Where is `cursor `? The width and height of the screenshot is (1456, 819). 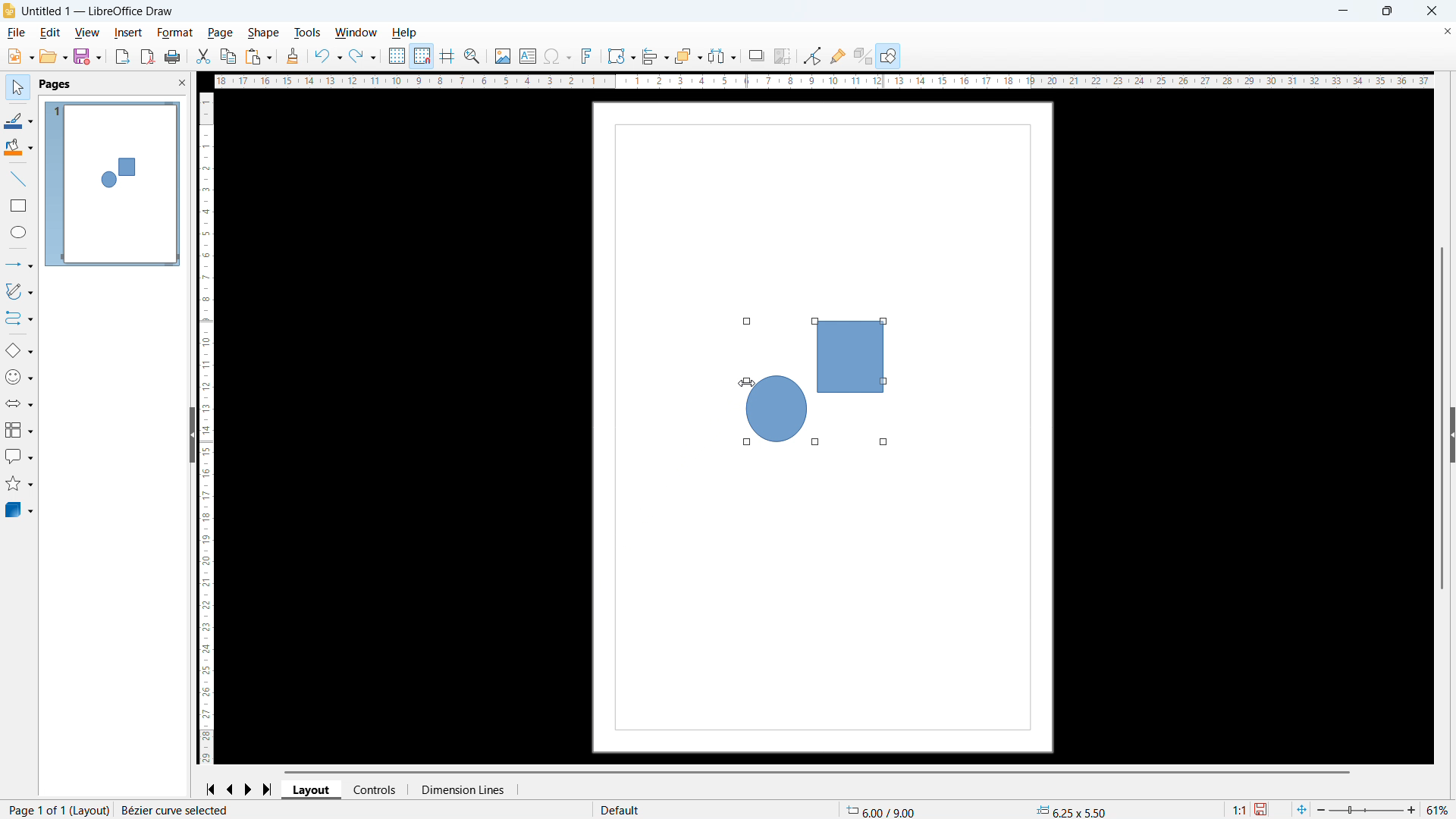 cursor  is located at coordinates (748, 384).